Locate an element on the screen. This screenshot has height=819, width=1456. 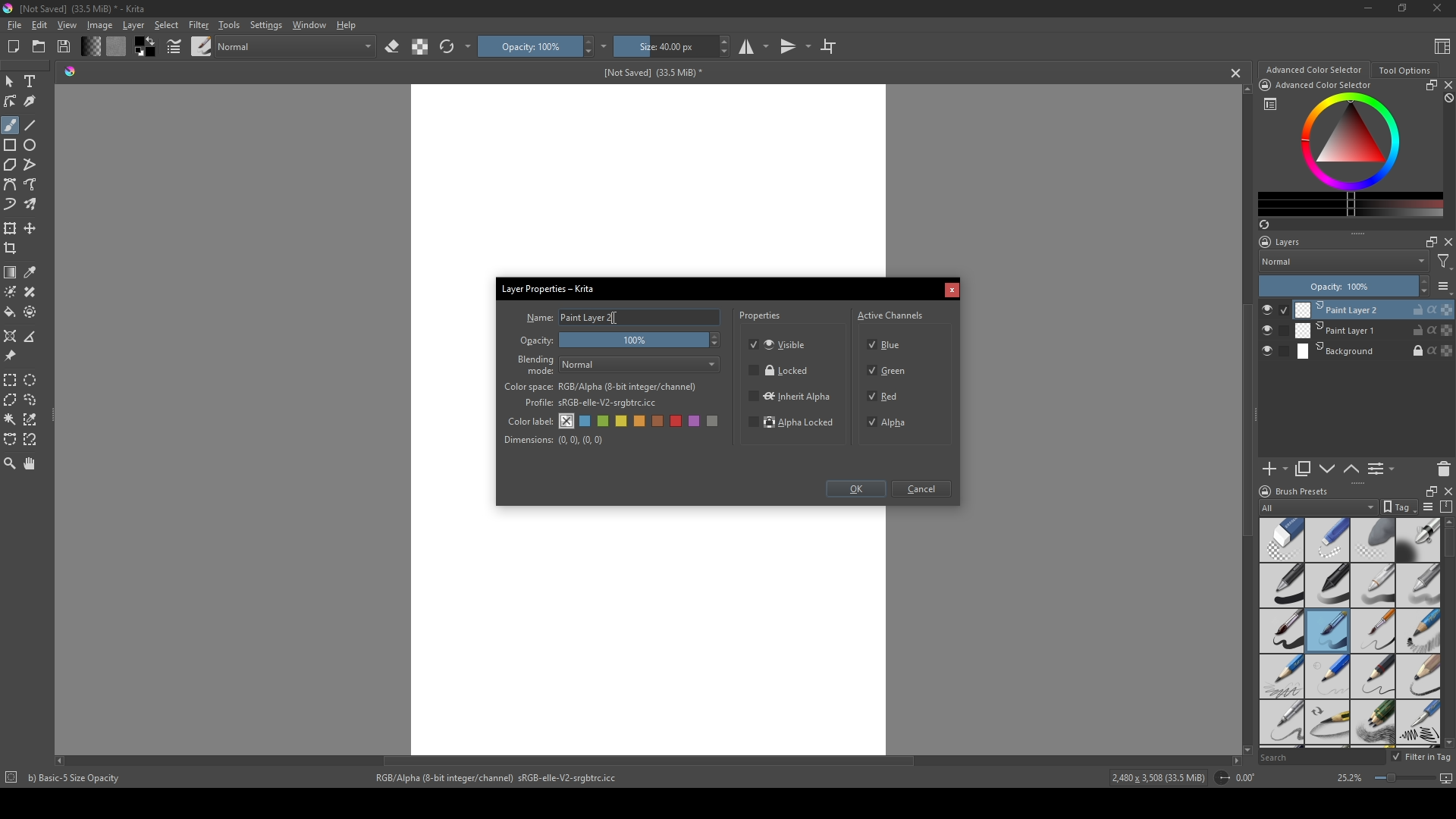
eyedropper is located at coordinates (32, 272).